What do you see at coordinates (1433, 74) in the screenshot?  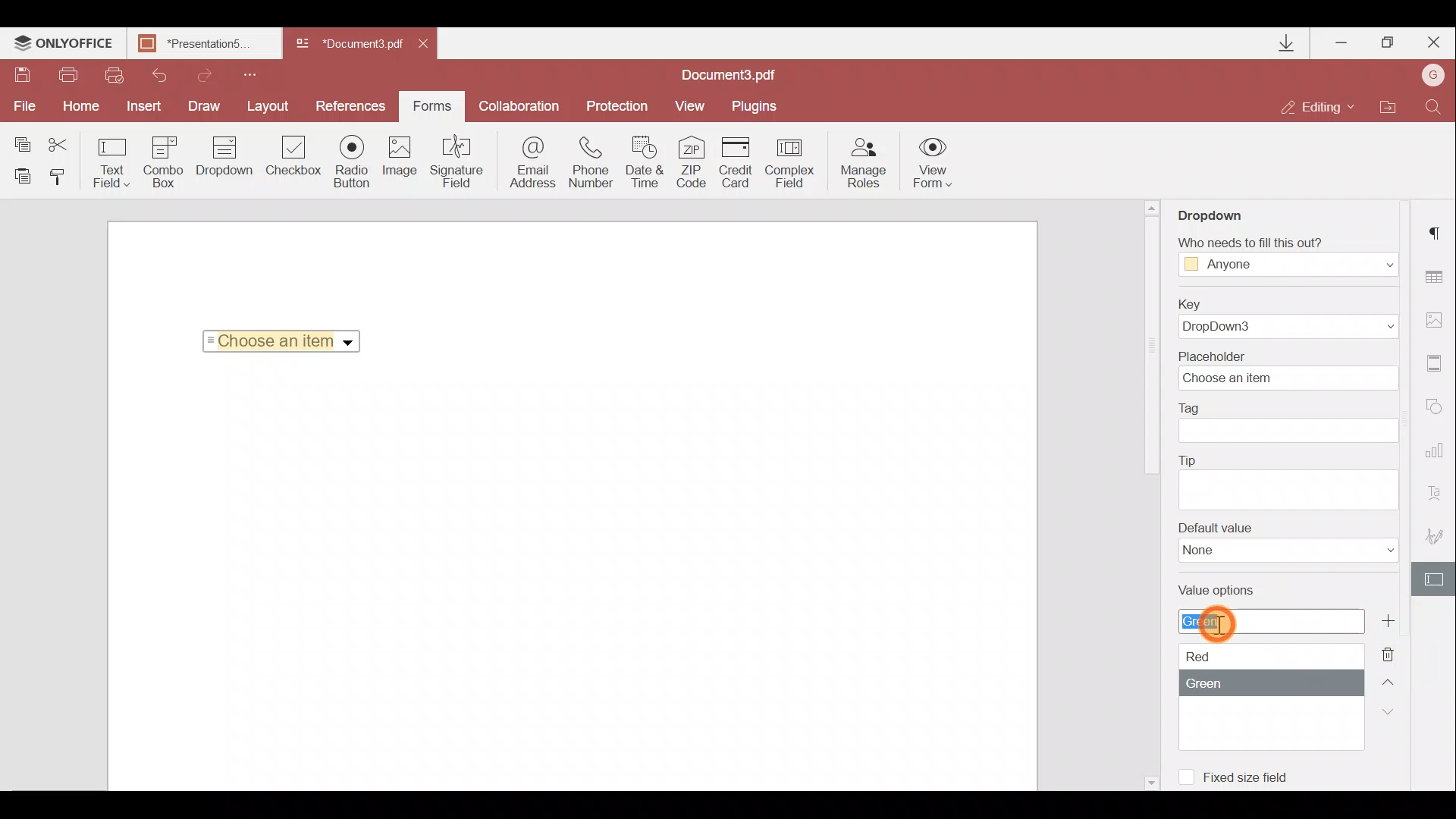 I see `Account name` at bounding box center [1433, 74].